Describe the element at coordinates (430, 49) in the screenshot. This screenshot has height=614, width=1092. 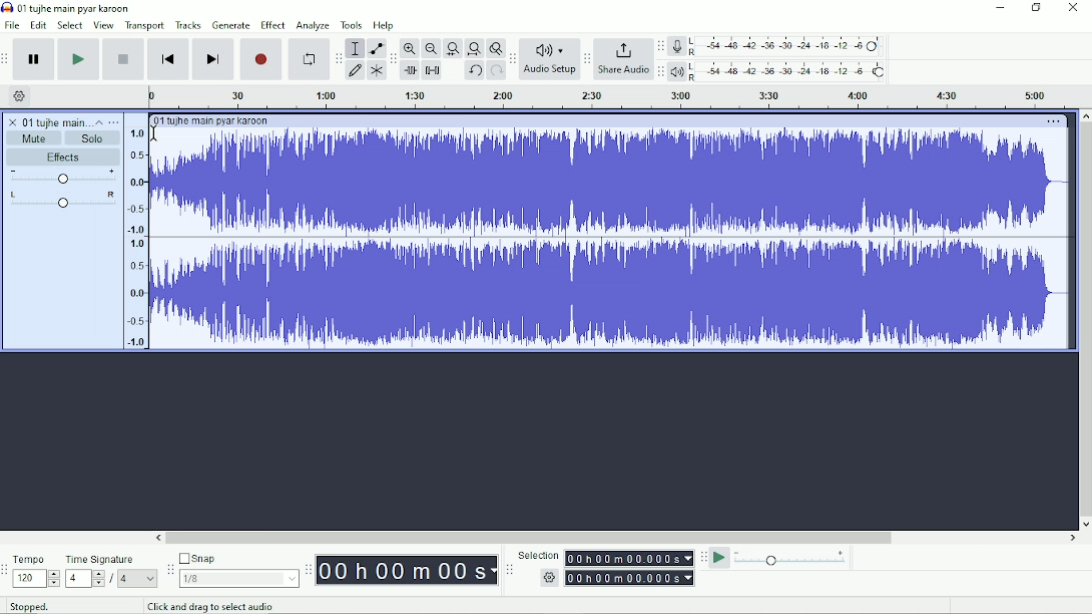
I see `Zoom Out` at that location.